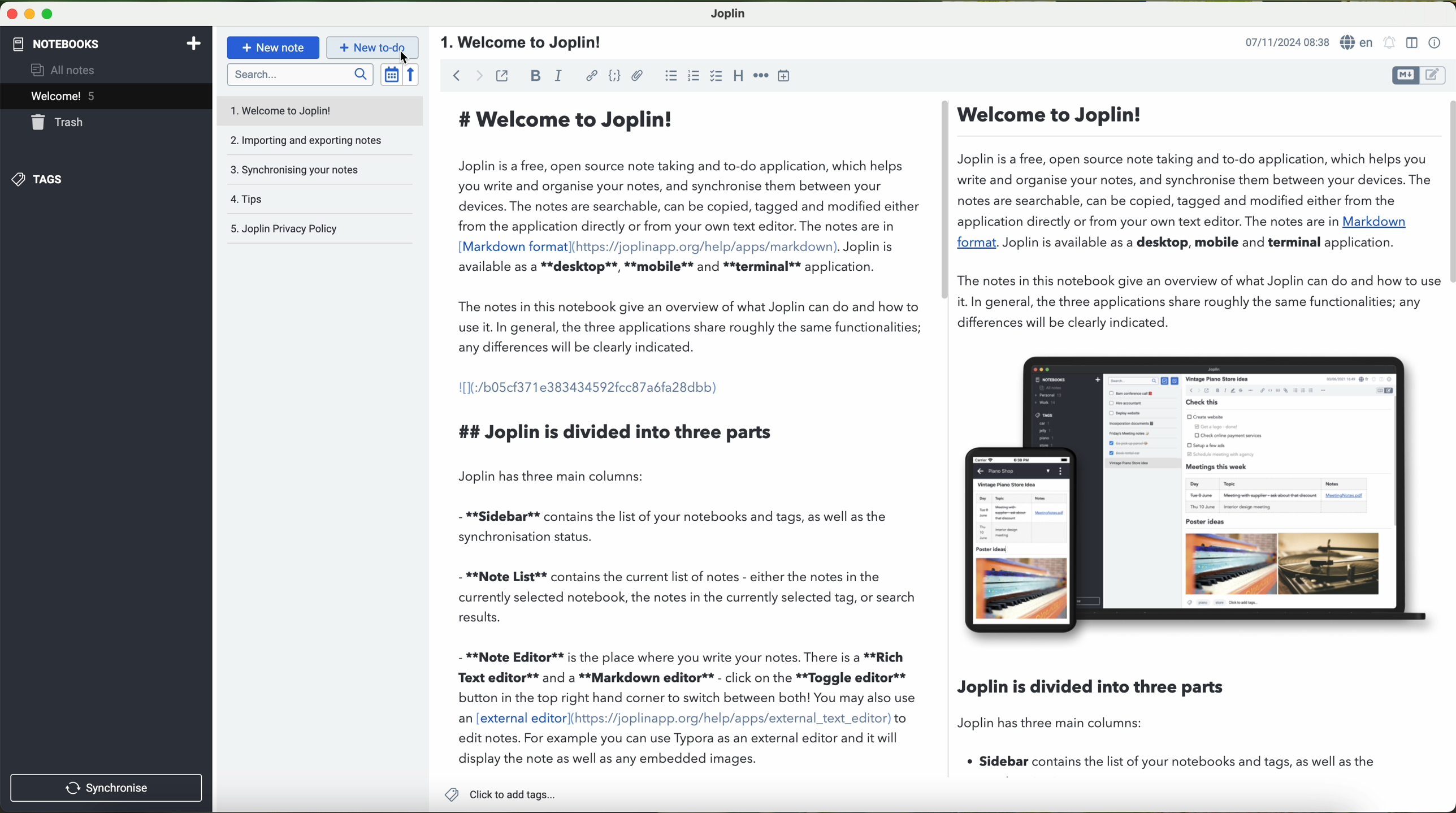 The image size is (1456, 813). Describe the element at coordinates (106, 98) in the screenshot. I see `welcome` at that location.